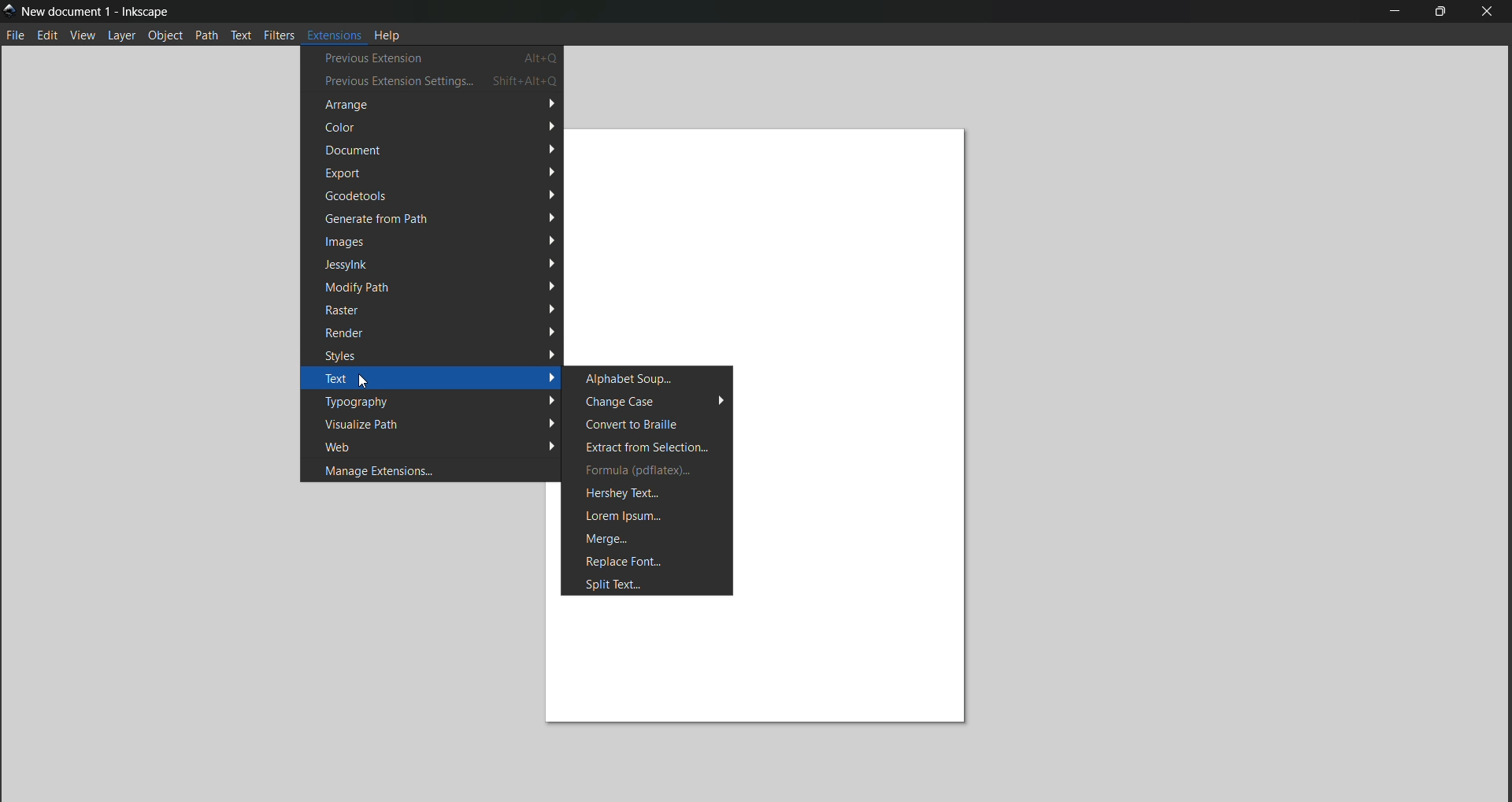  What do you see at coordinates (83, 36) in the screenshot?
I see `view` at bounding box center [83, 36].